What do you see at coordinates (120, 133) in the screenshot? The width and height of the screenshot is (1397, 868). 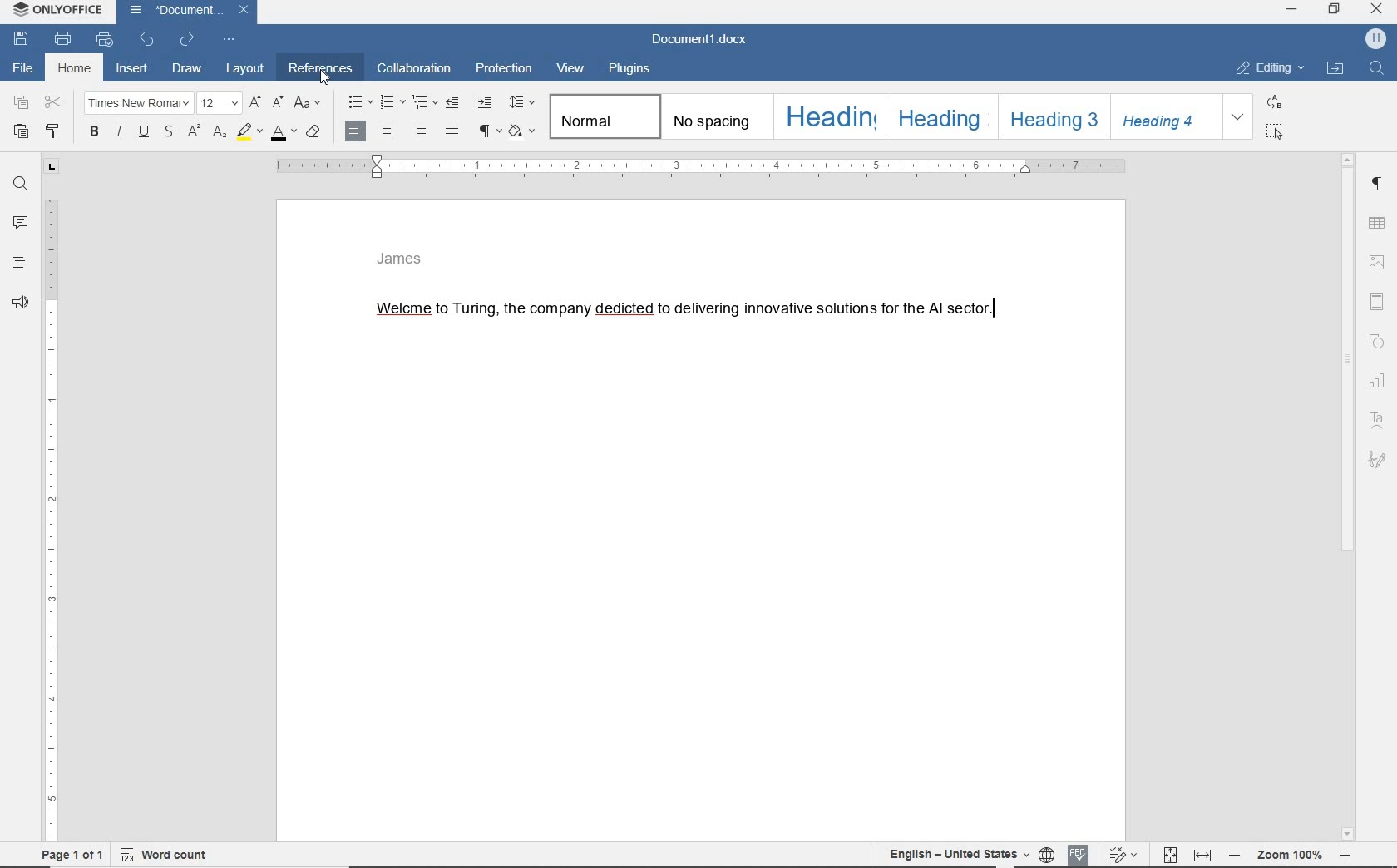 I see `italic` at bounding box center [120, 133].